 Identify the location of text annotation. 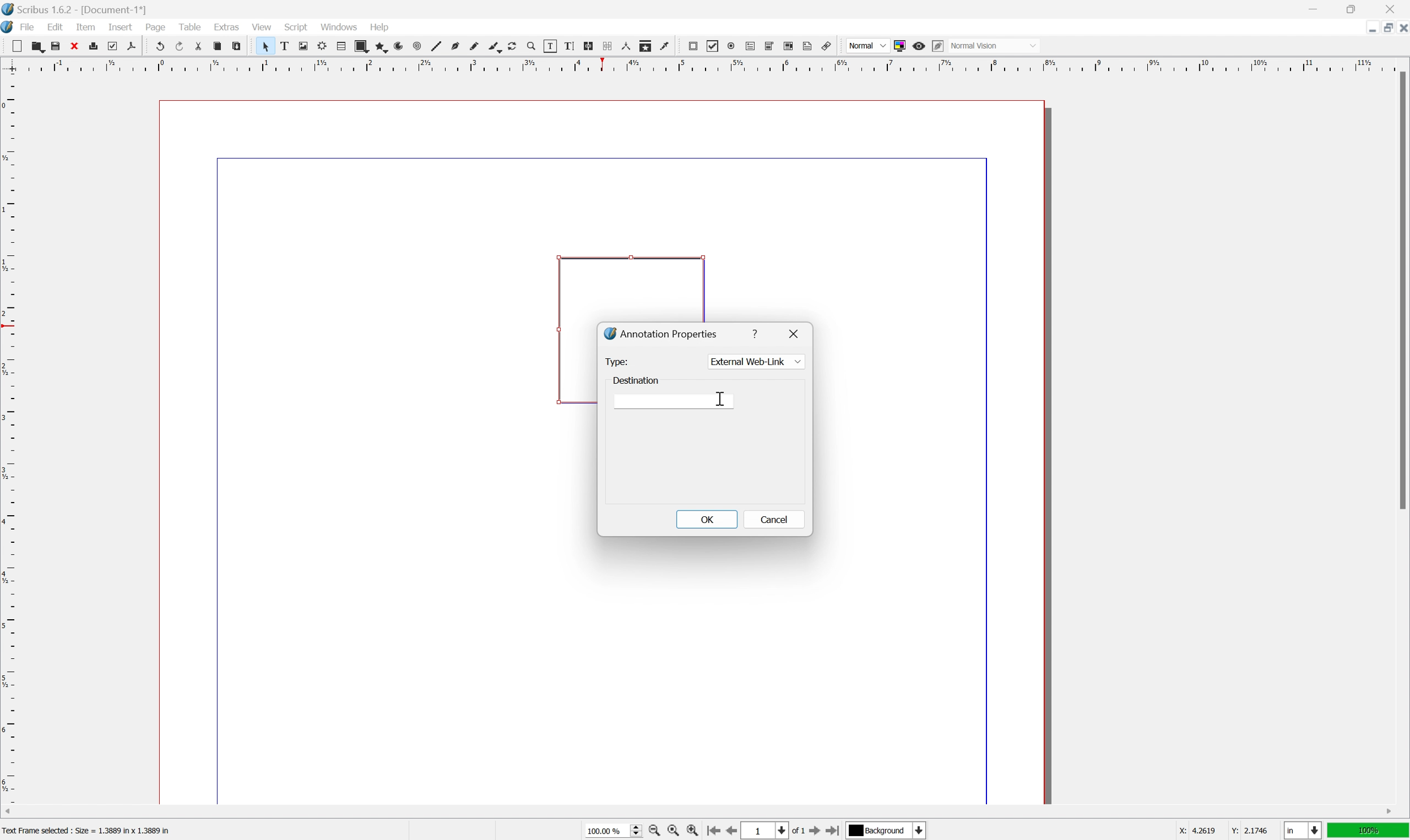
(808, 45).